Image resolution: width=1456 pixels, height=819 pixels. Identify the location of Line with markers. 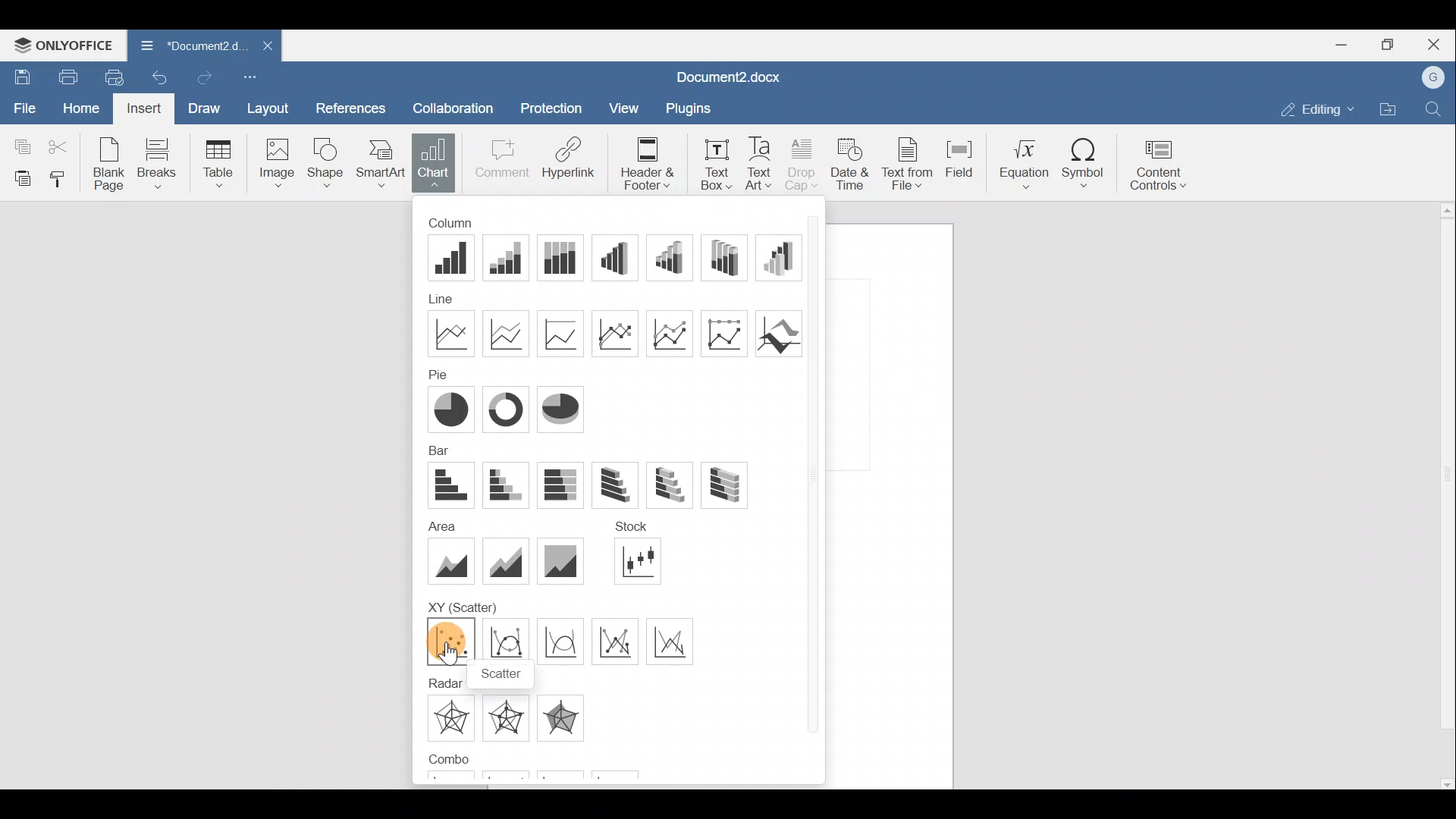
(617, 332).